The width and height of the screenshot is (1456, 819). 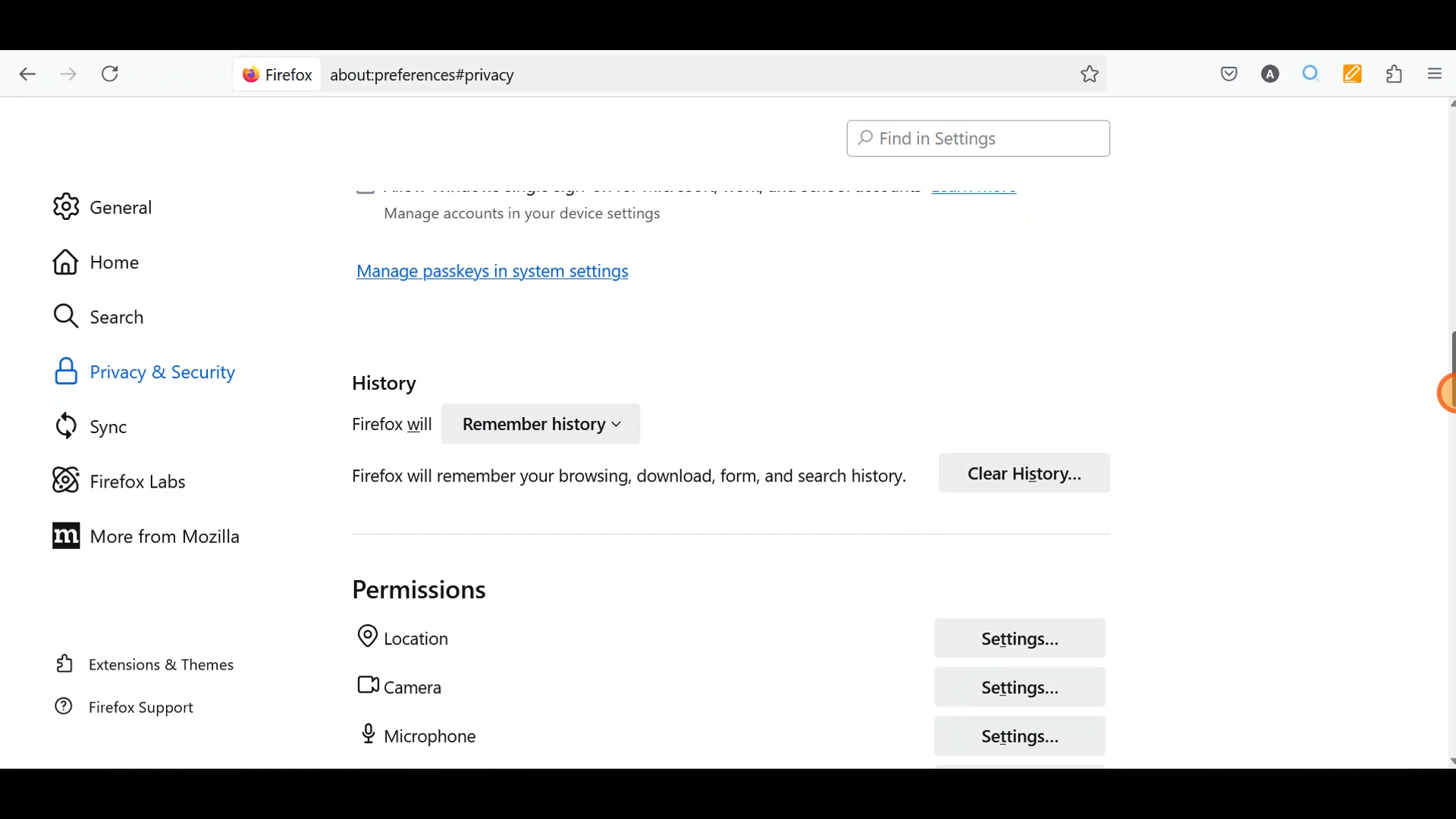 What do you see at coordinates (1222, 73) in the screenshot?
I see `Save to pocket` at bounding box center [1222, 73].